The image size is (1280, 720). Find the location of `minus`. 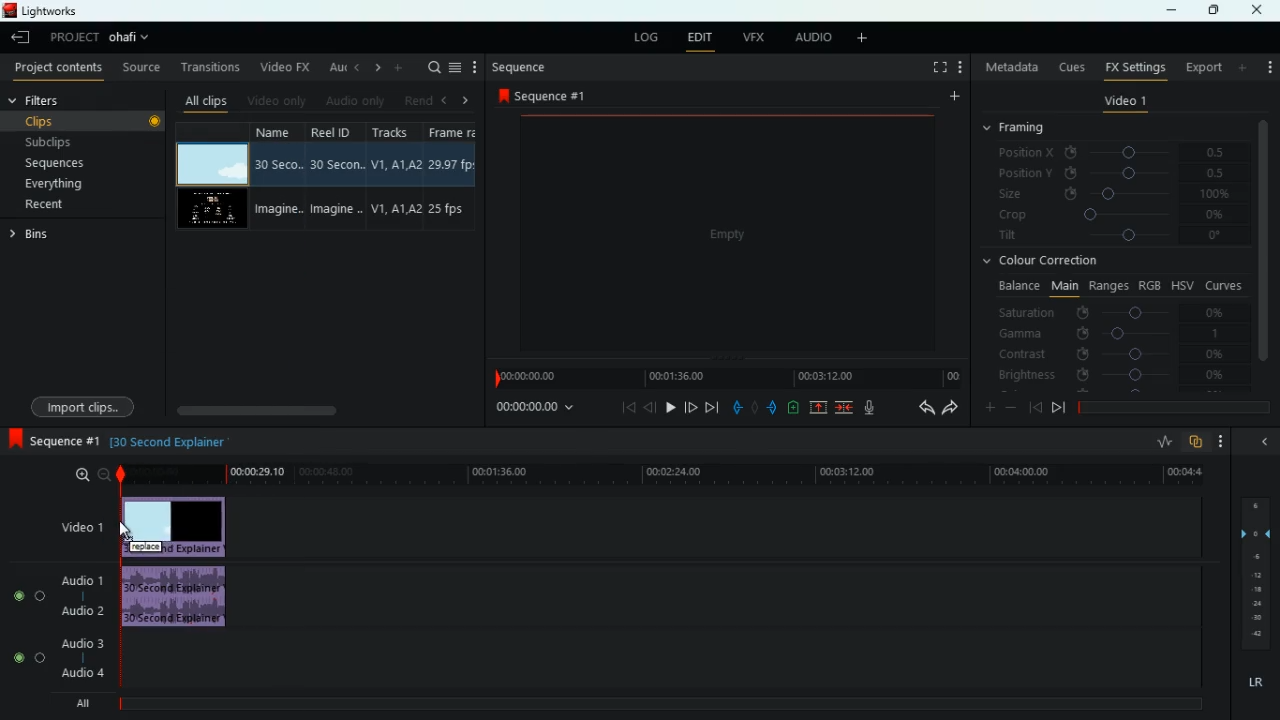

minus is located at coordinates (1011, 407).